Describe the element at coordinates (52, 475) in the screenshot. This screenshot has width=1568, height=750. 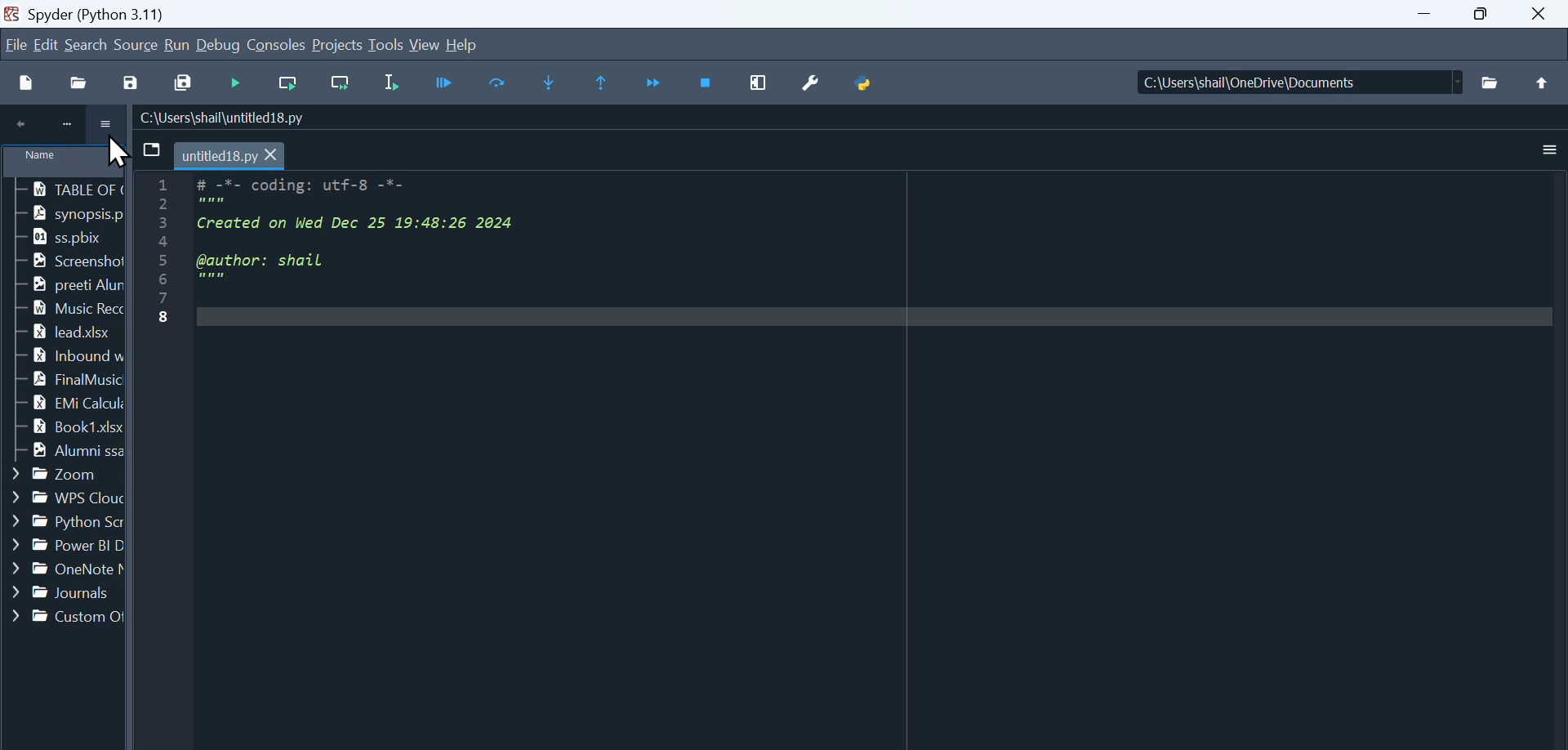
I see `Zoom` at that location.